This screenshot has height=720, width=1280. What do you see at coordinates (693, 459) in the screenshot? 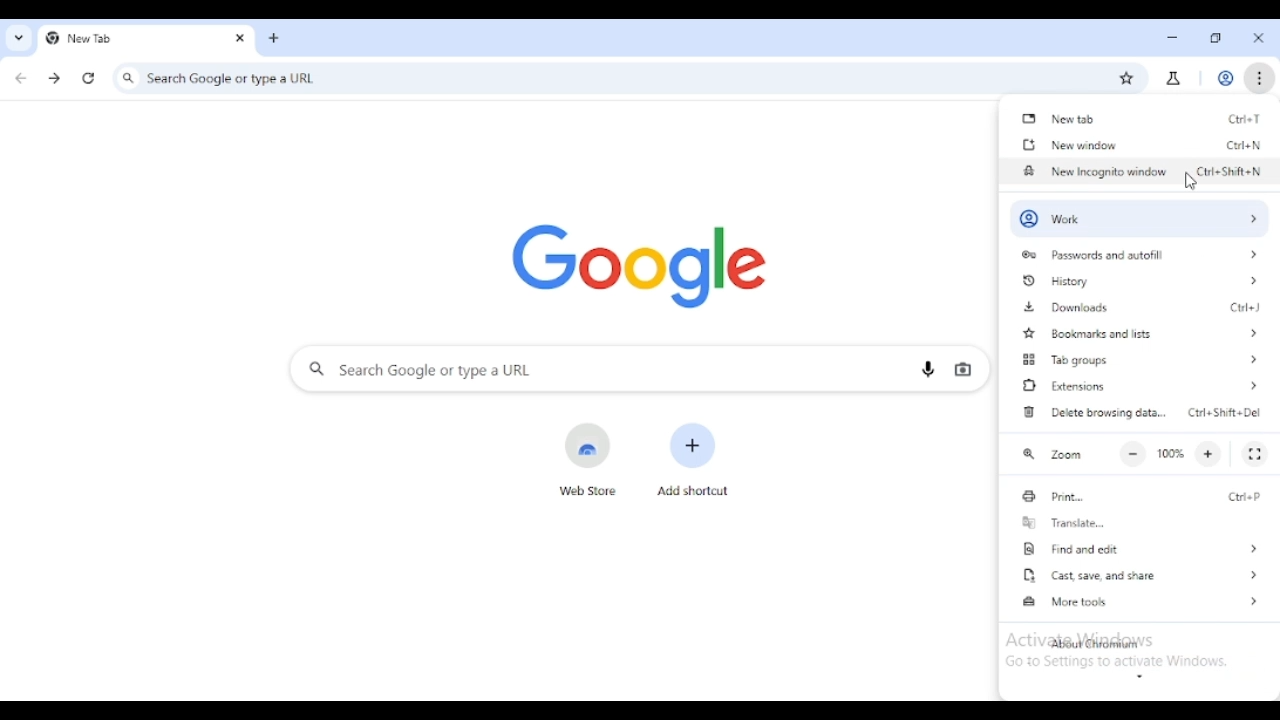
I see `add shortcut` at bounding box center [693, 459].